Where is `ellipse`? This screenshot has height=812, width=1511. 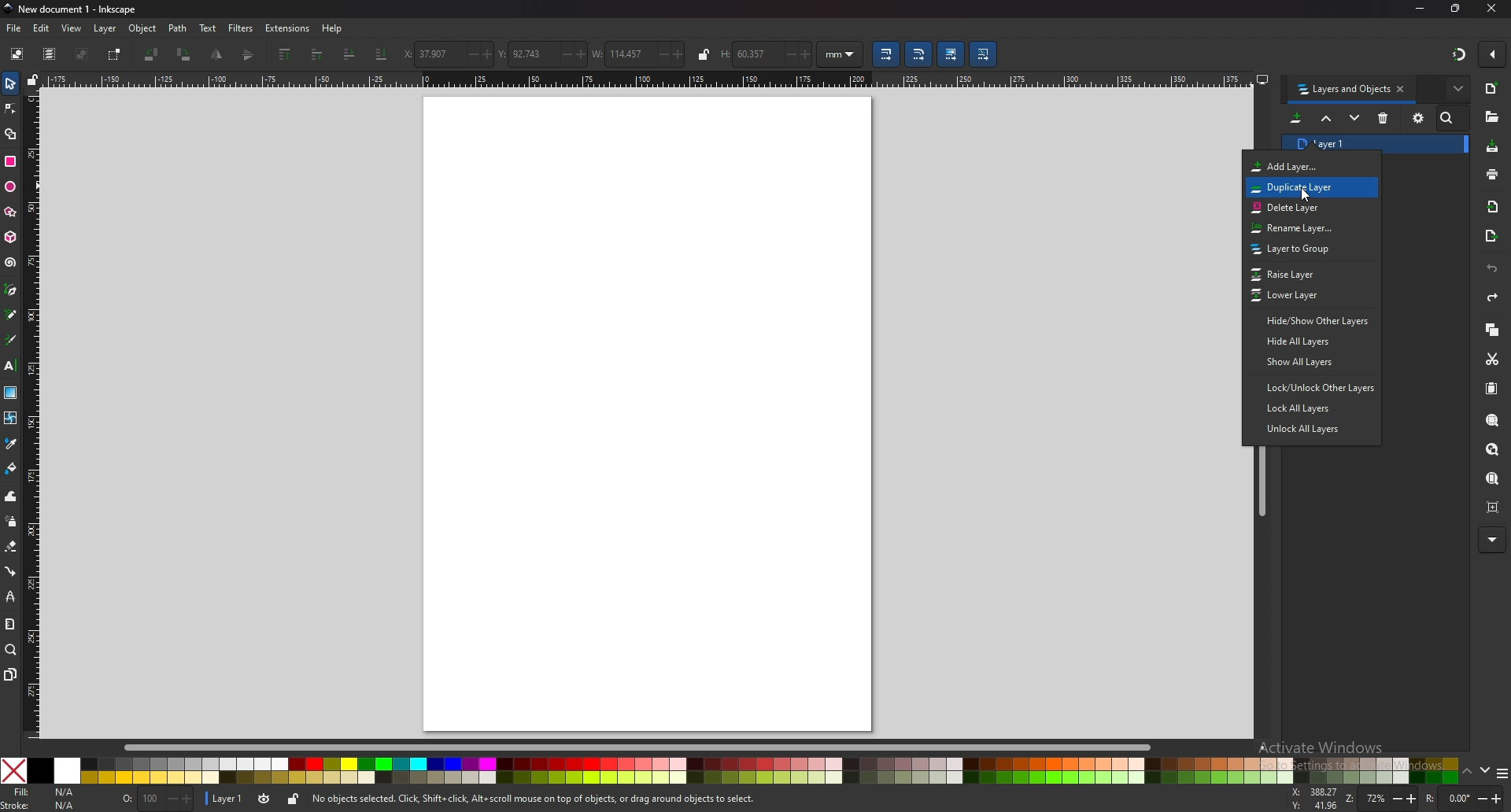 ellipse is located at coordinates (10, 186).